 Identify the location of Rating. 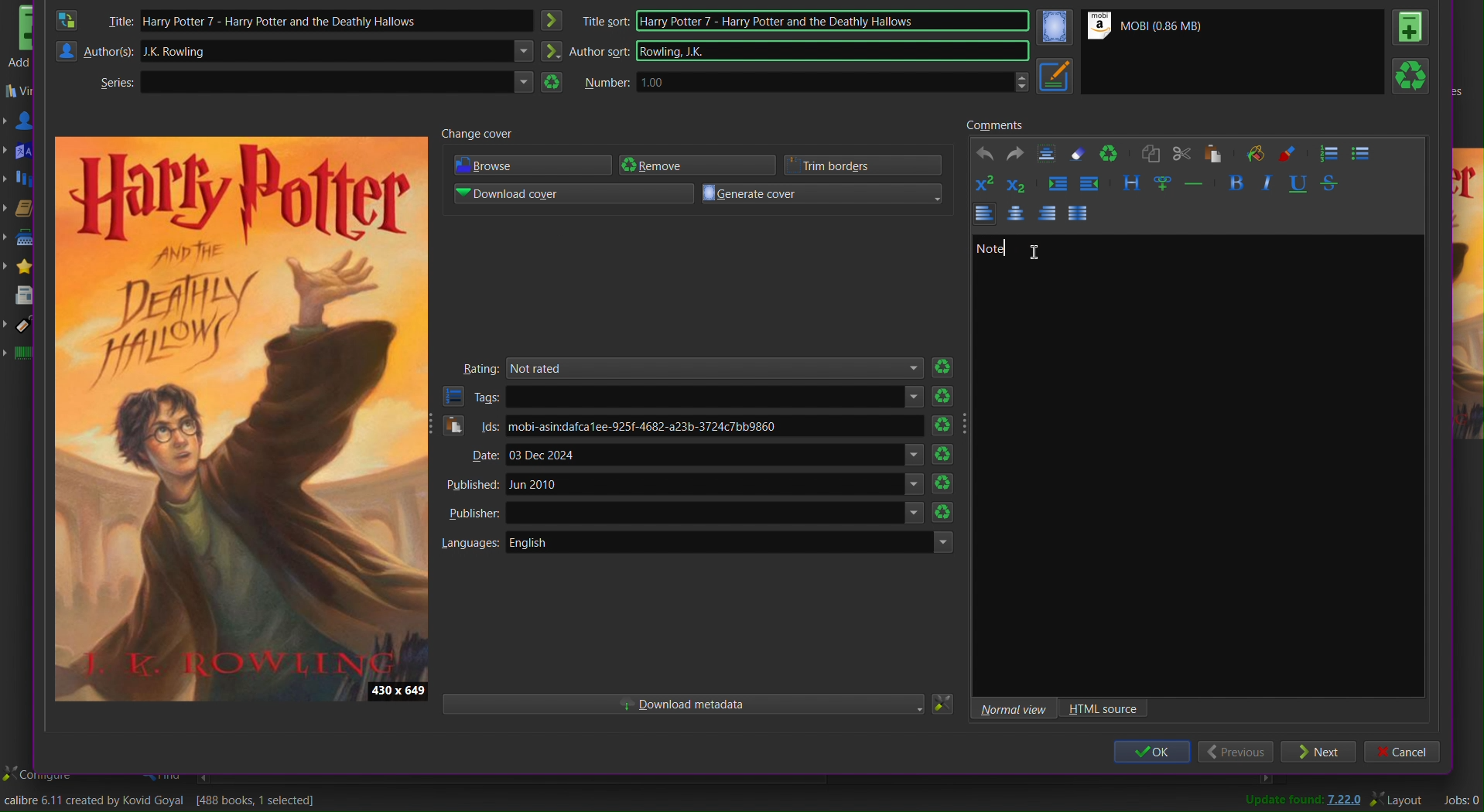
(26, 267).